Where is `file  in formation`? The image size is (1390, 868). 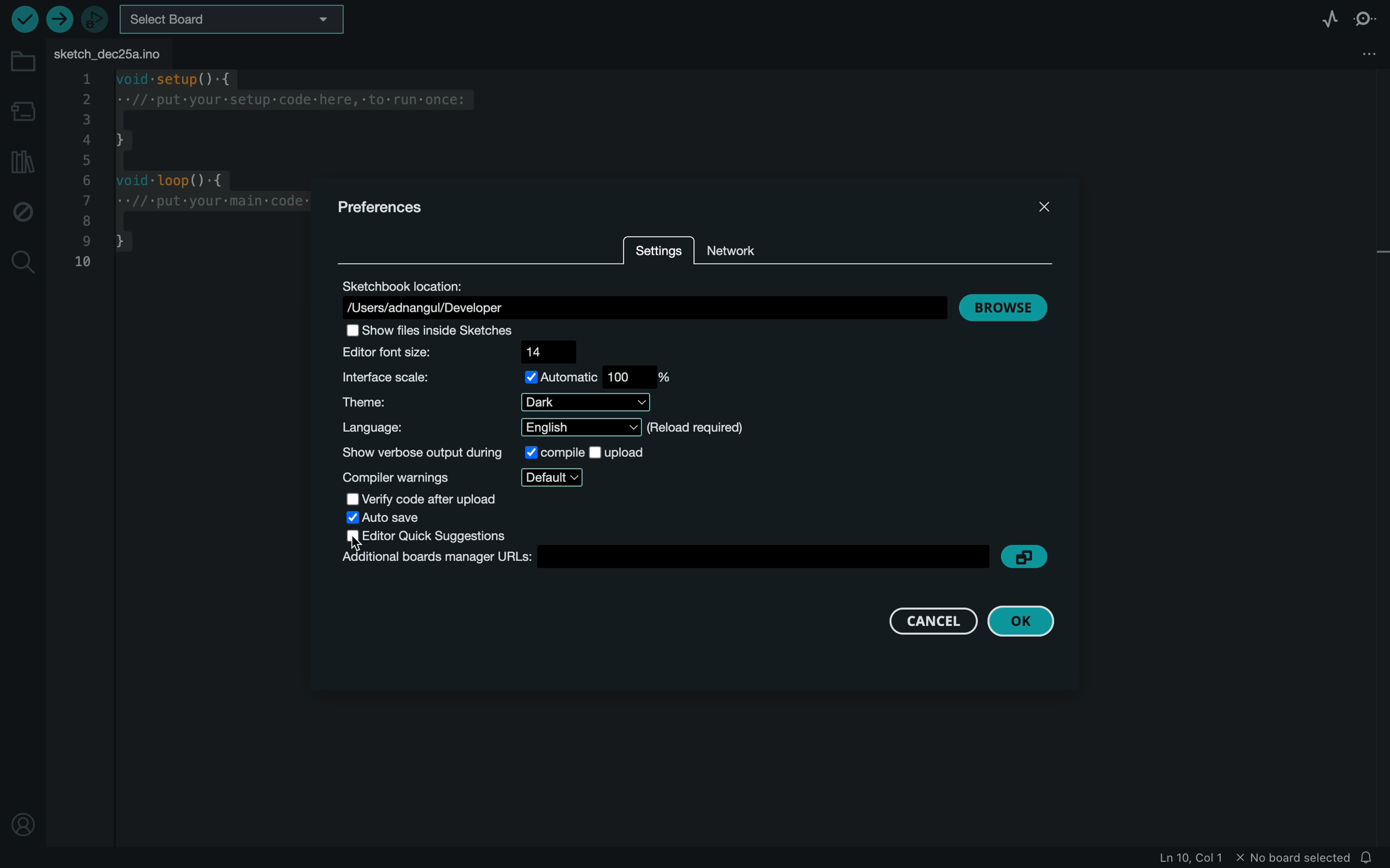
file  in formation is located at coordinates (1239, 858).